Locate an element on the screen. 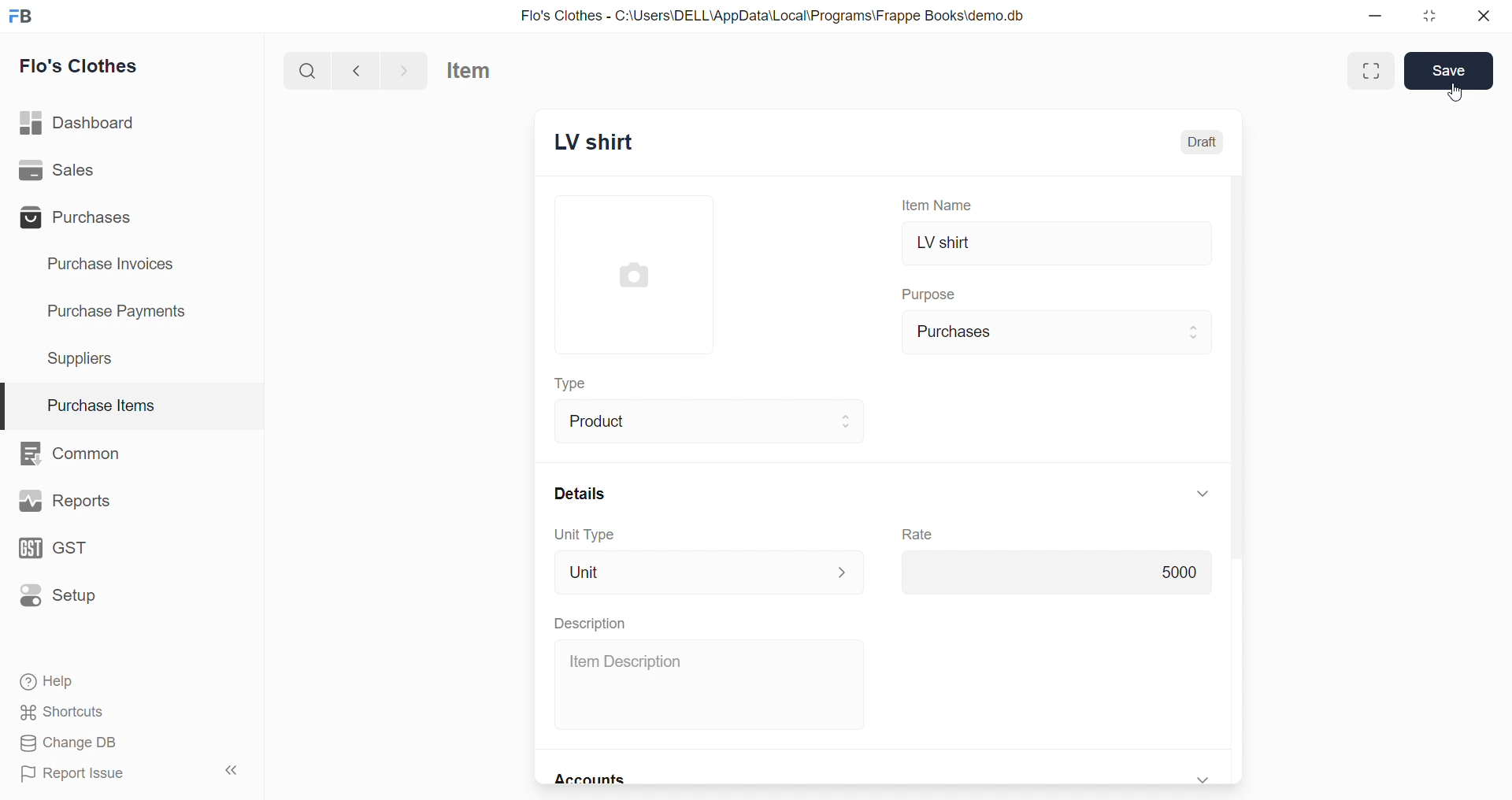 The image size is (1512, 800). expand/collapse is located at coordinates (1203, 493).